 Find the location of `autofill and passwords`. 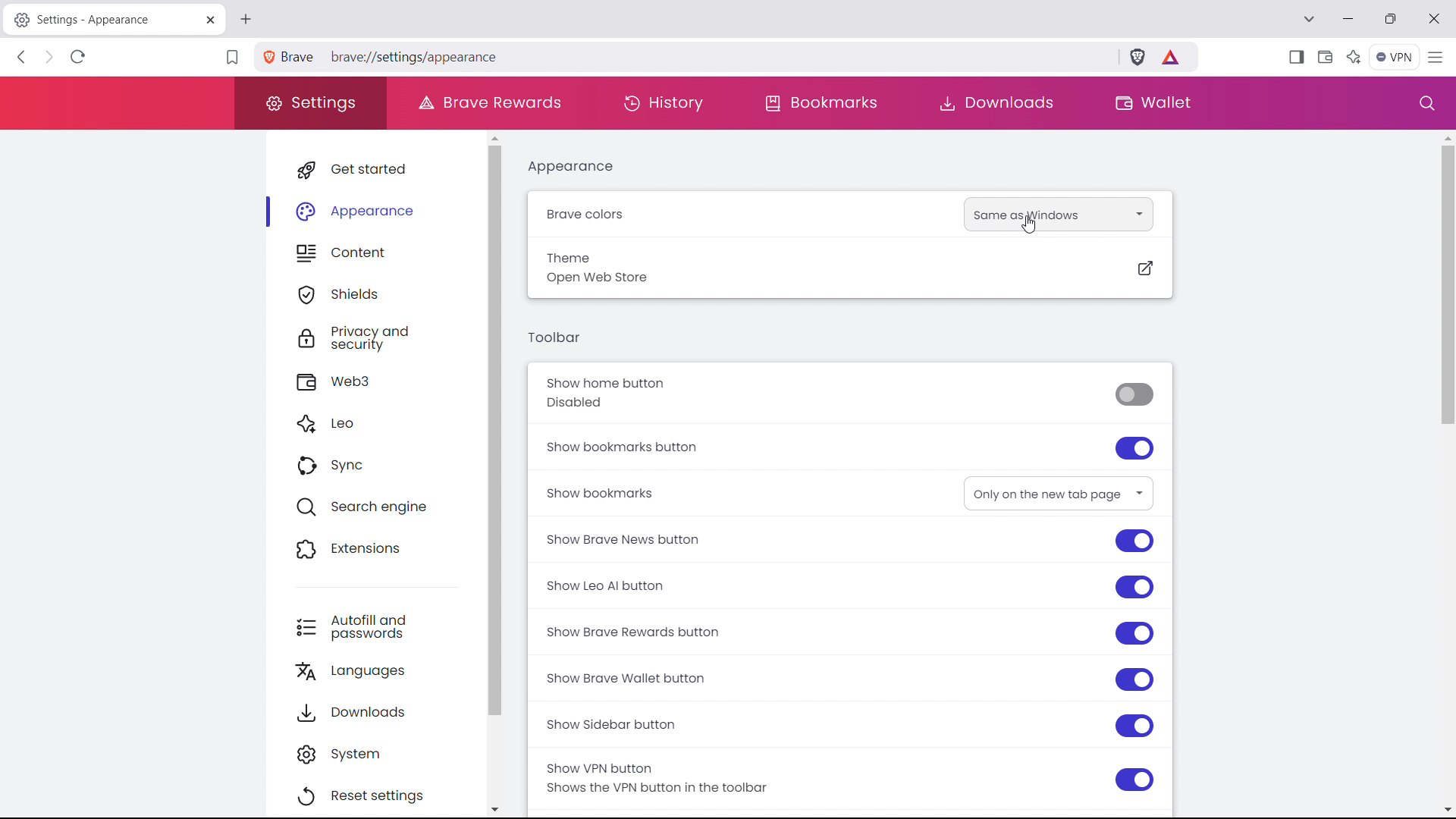

autofill and passwords is located at coordinates (384, 625).